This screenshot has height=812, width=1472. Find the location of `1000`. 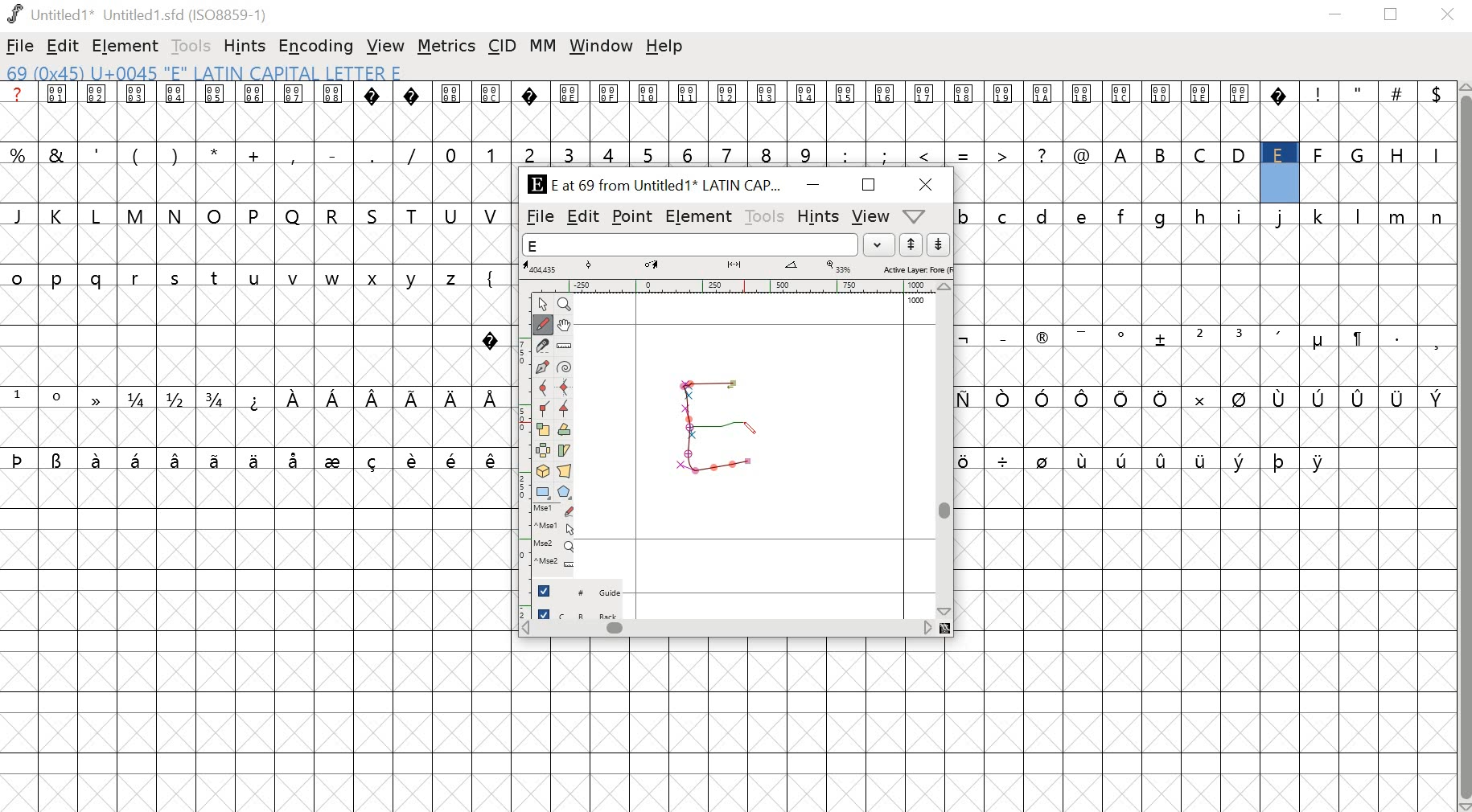

1000 is located at coordinates (917, 301).